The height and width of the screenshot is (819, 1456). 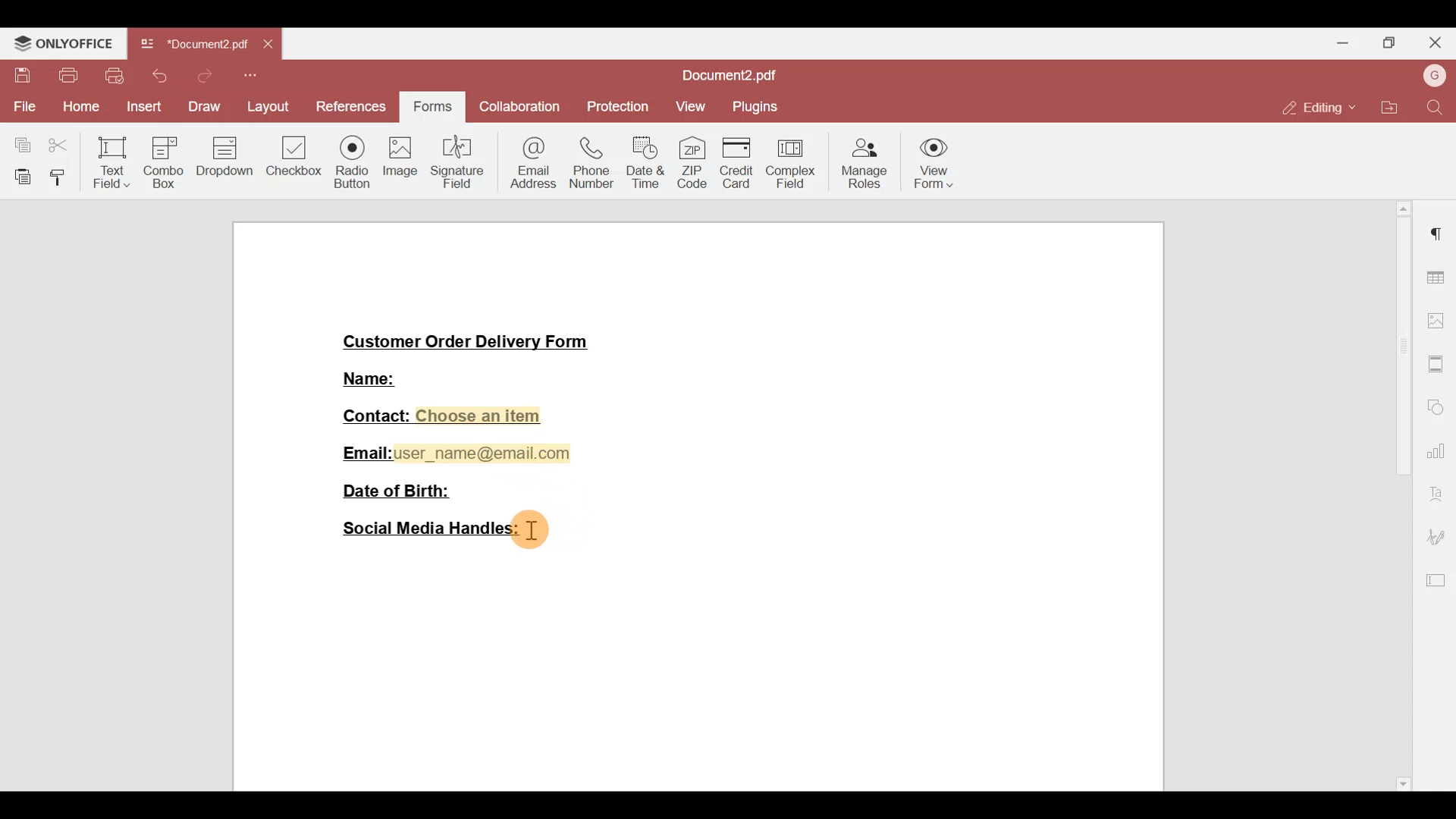 I want to click on Close, so click(x=1438, y=43).